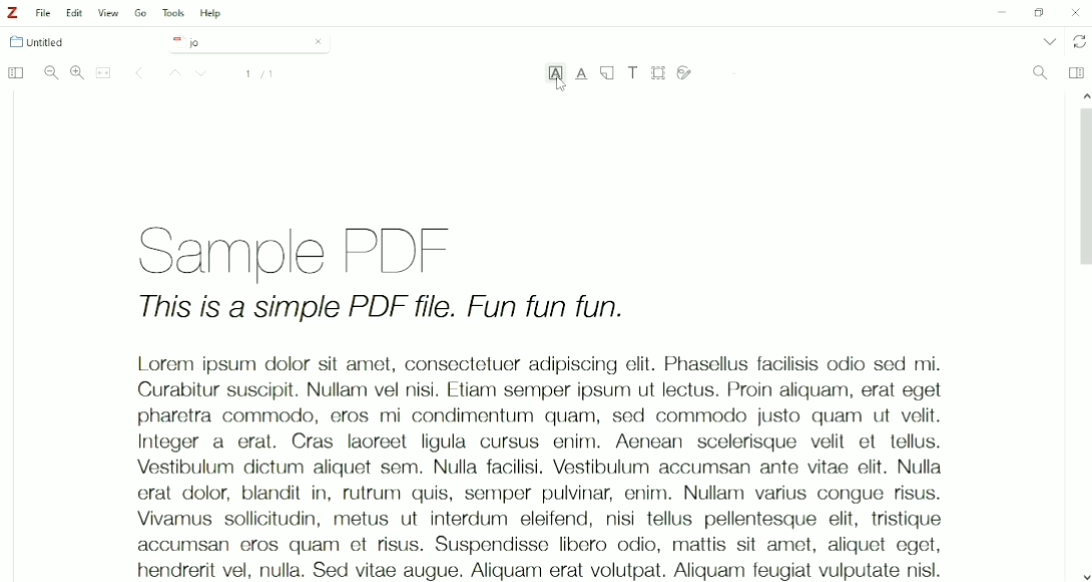  Describe the element at coordinates (109, 13) in the screenshot. I see `View` at that location.